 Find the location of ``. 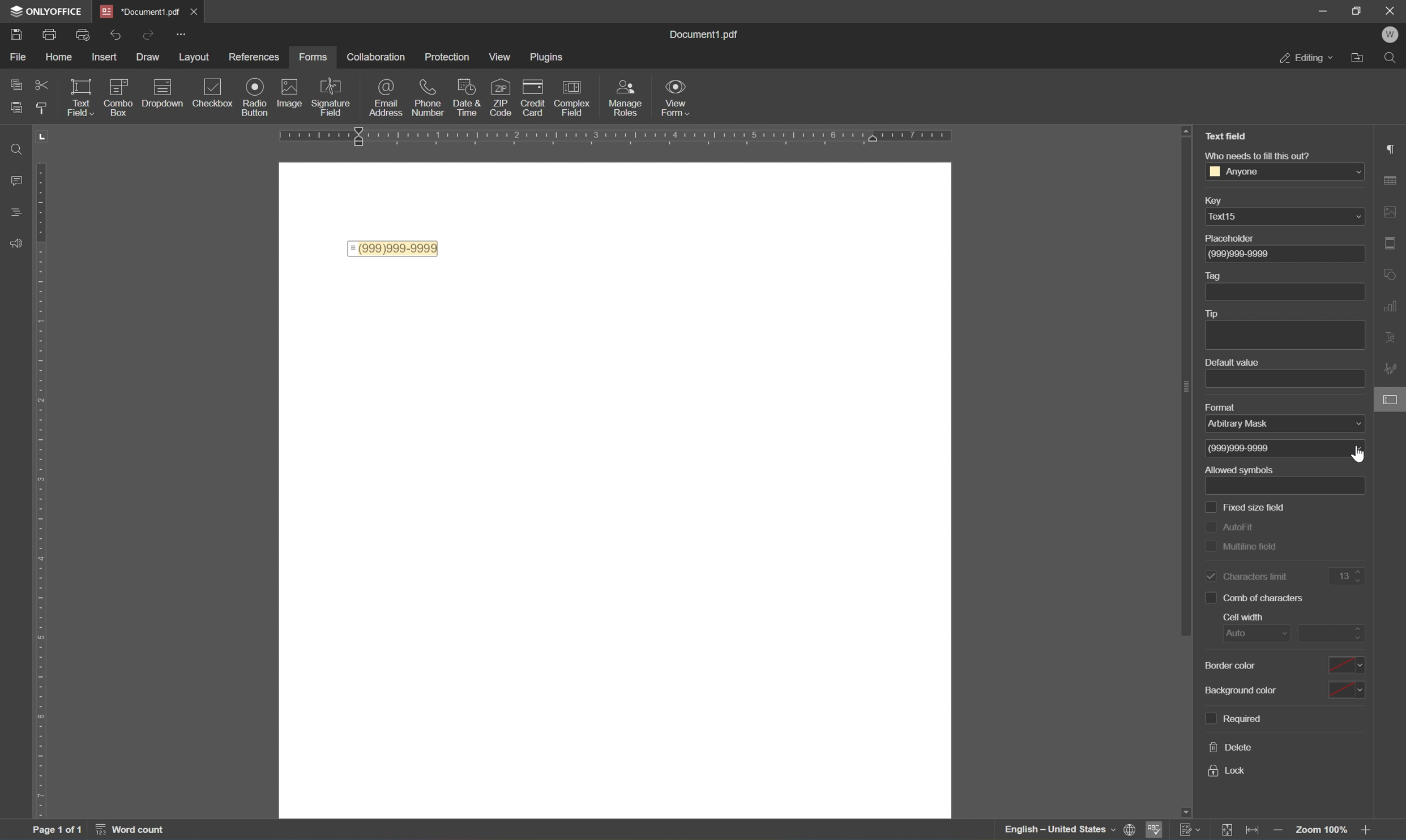

 is located at coordinates (501, 57).